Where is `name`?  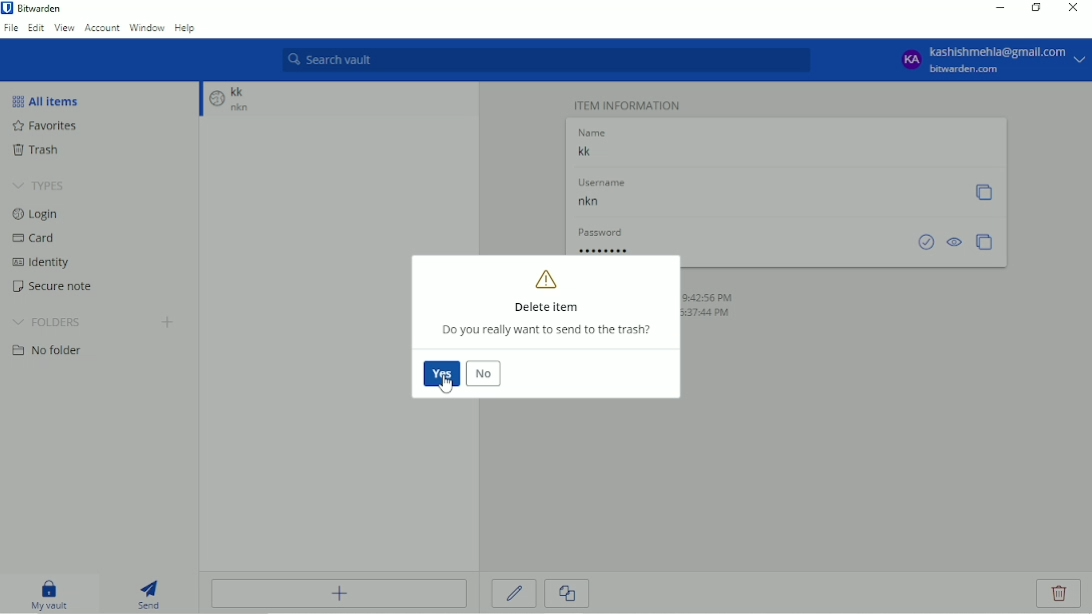
name is located at coordinates (590, 131).